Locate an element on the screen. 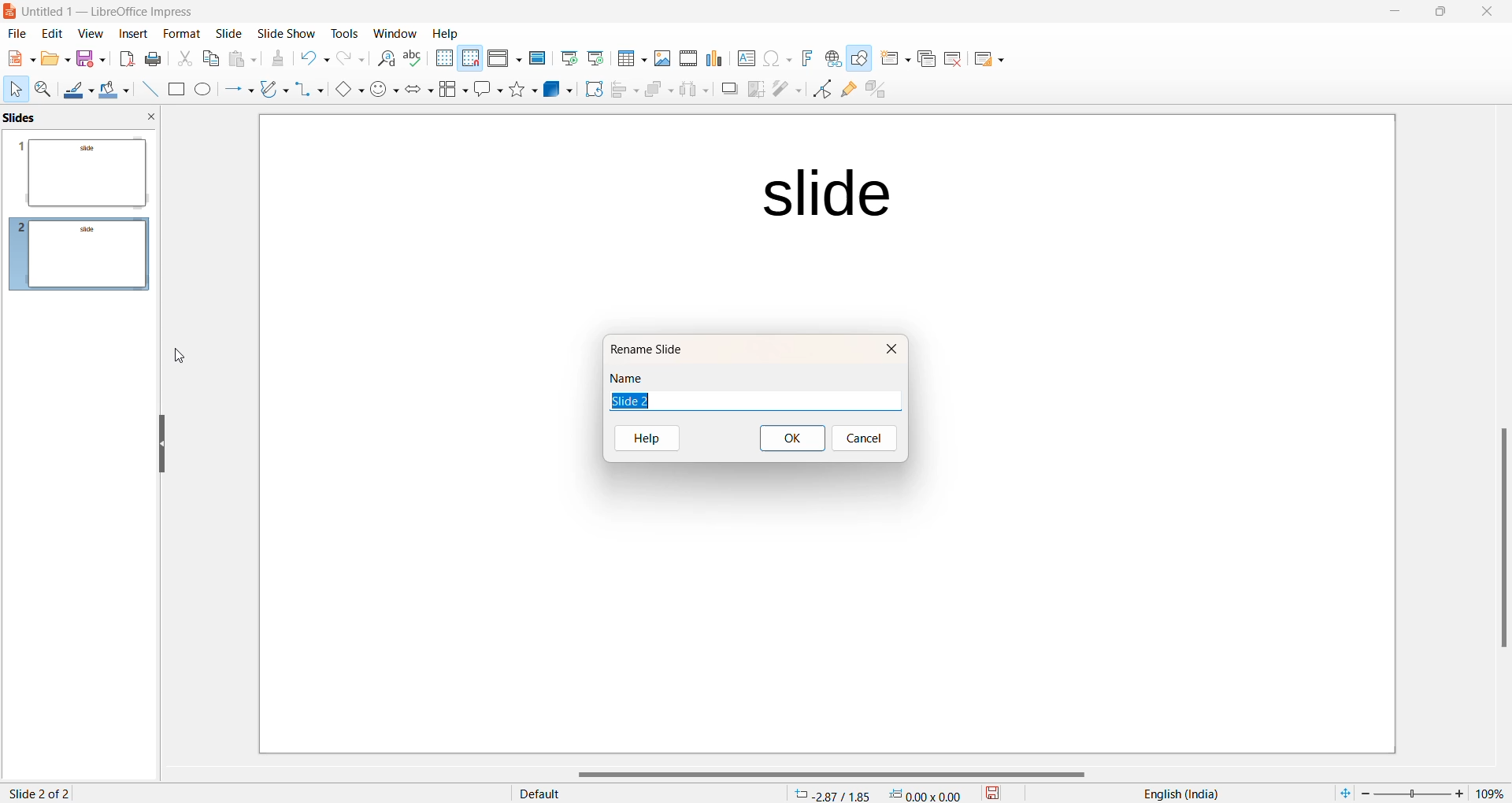 This screenshot has height=803, width=1512. current window: Untitled 1 — LibreOffice Impress is located at coordinates (105, 13).